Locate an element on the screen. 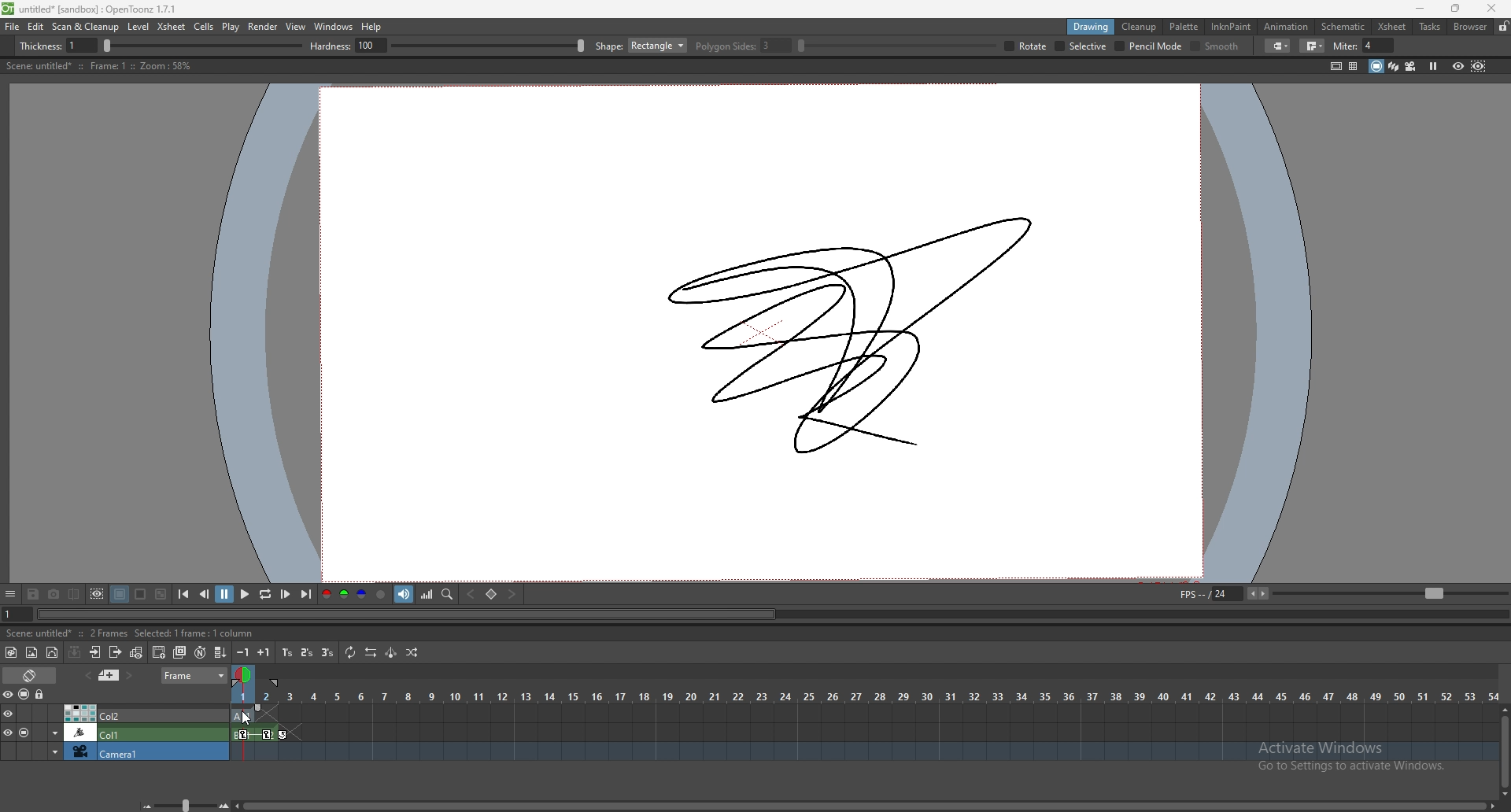 The image size is (1511, 812). frame is located at coordinates (195, 674).